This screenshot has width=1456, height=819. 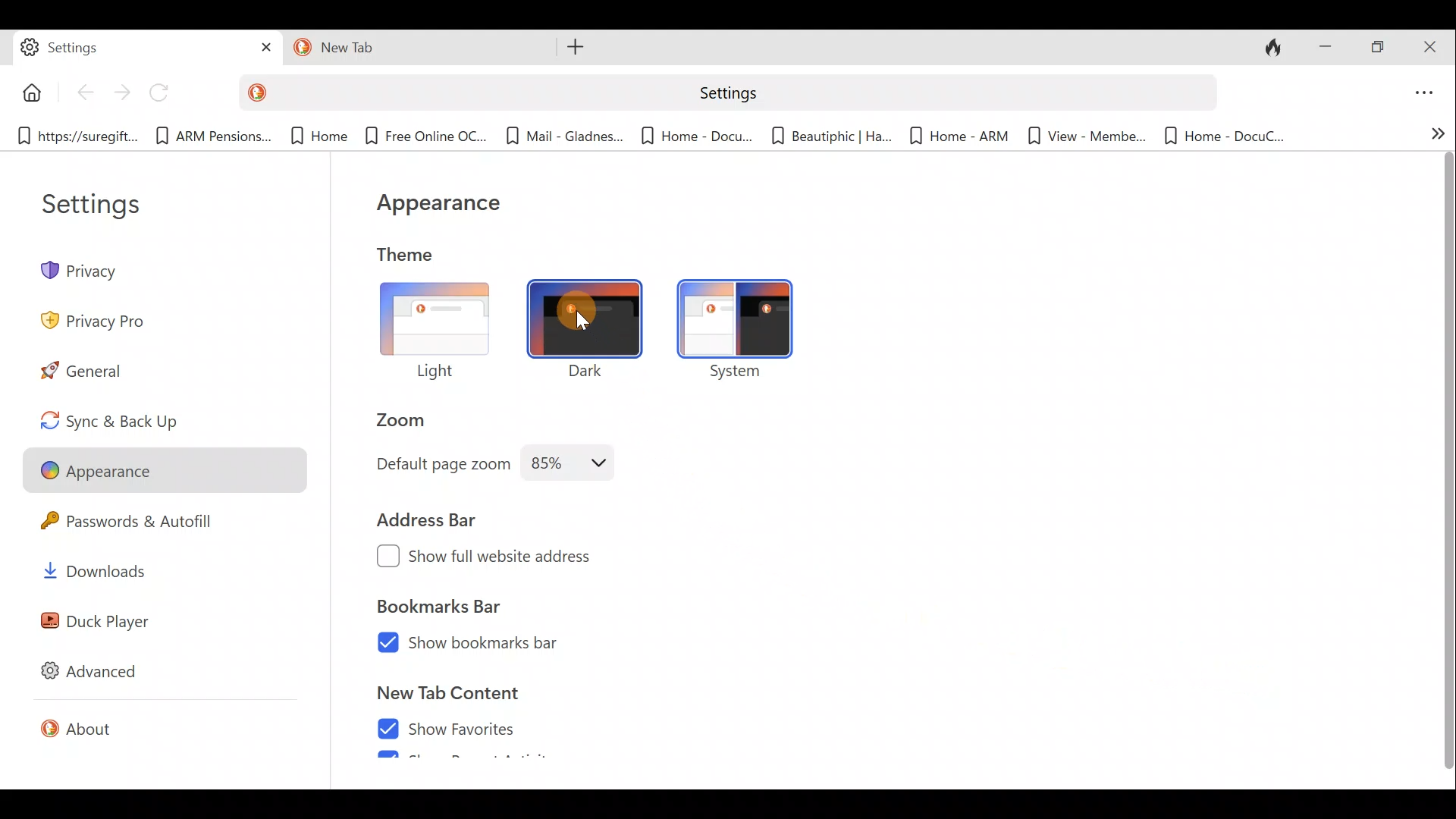 What do you see at coordinates (262, 92) in the screenshot?
I see `DuckDuckGo logo` at bounding box center [262, 92].